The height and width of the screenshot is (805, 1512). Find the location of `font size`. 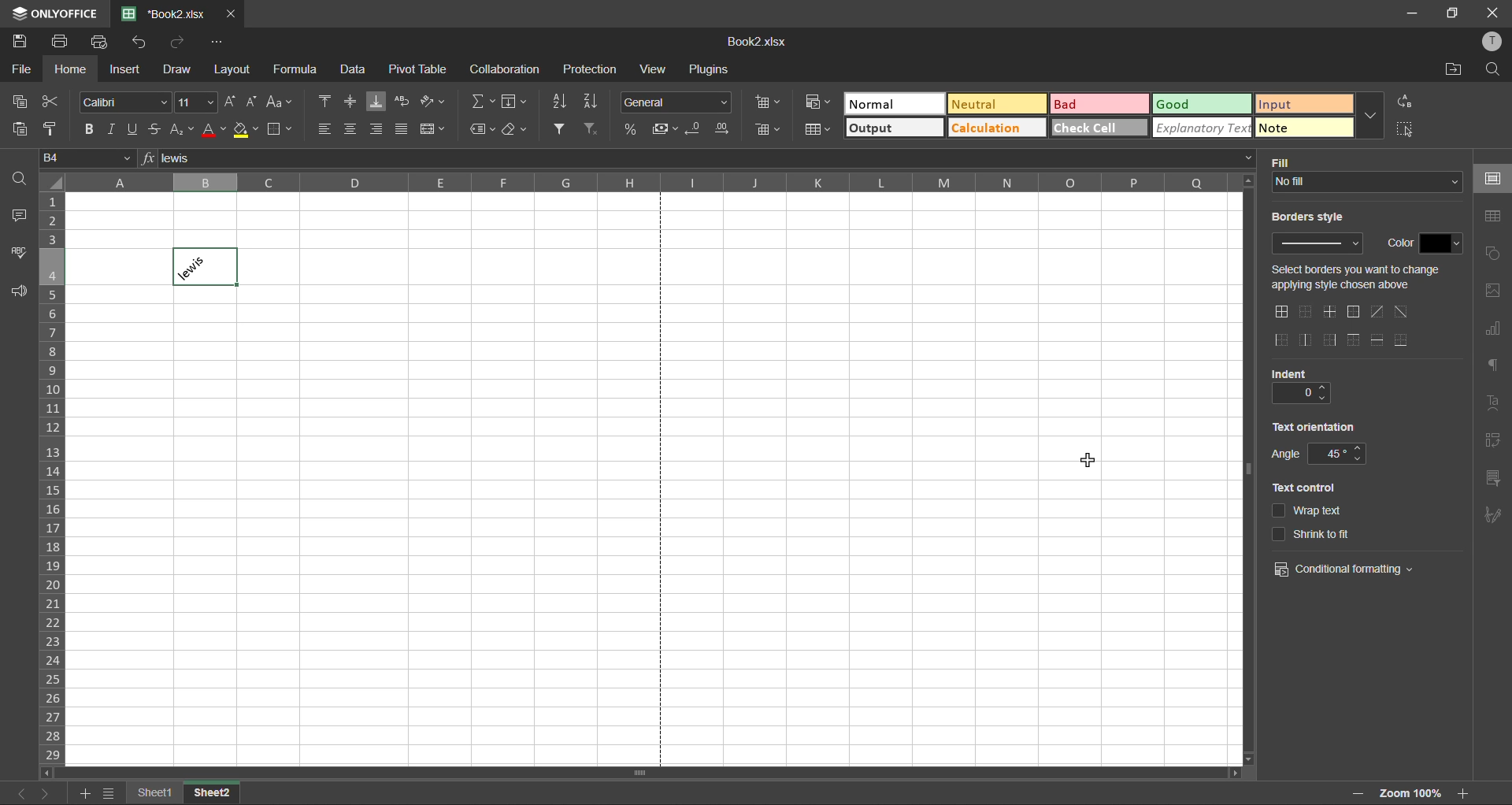

font size is located at coordinates (193, 103).